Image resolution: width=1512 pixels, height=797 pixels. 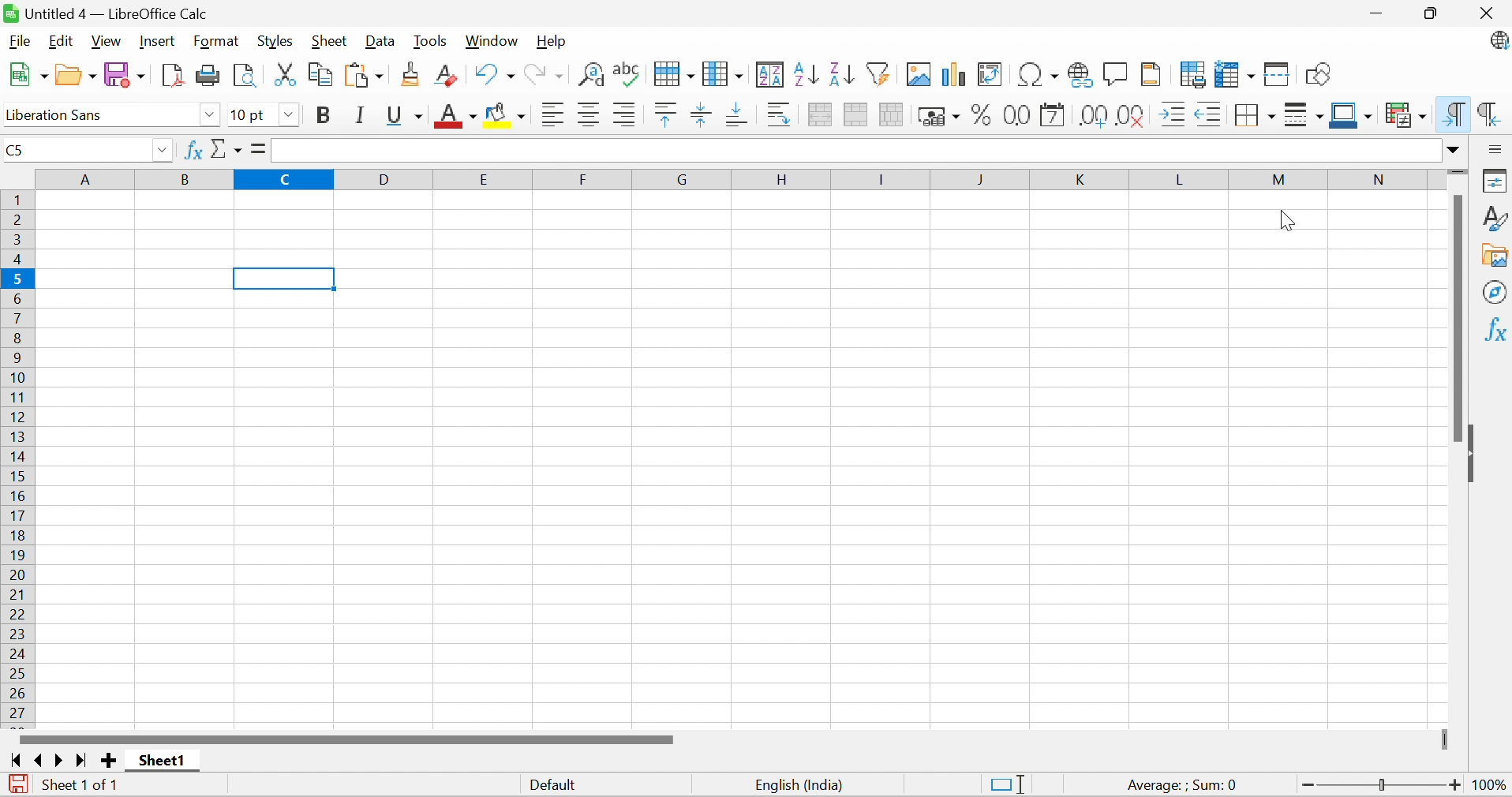 I want to click on Sheet 1 of 1, so click(x=80, y=783).